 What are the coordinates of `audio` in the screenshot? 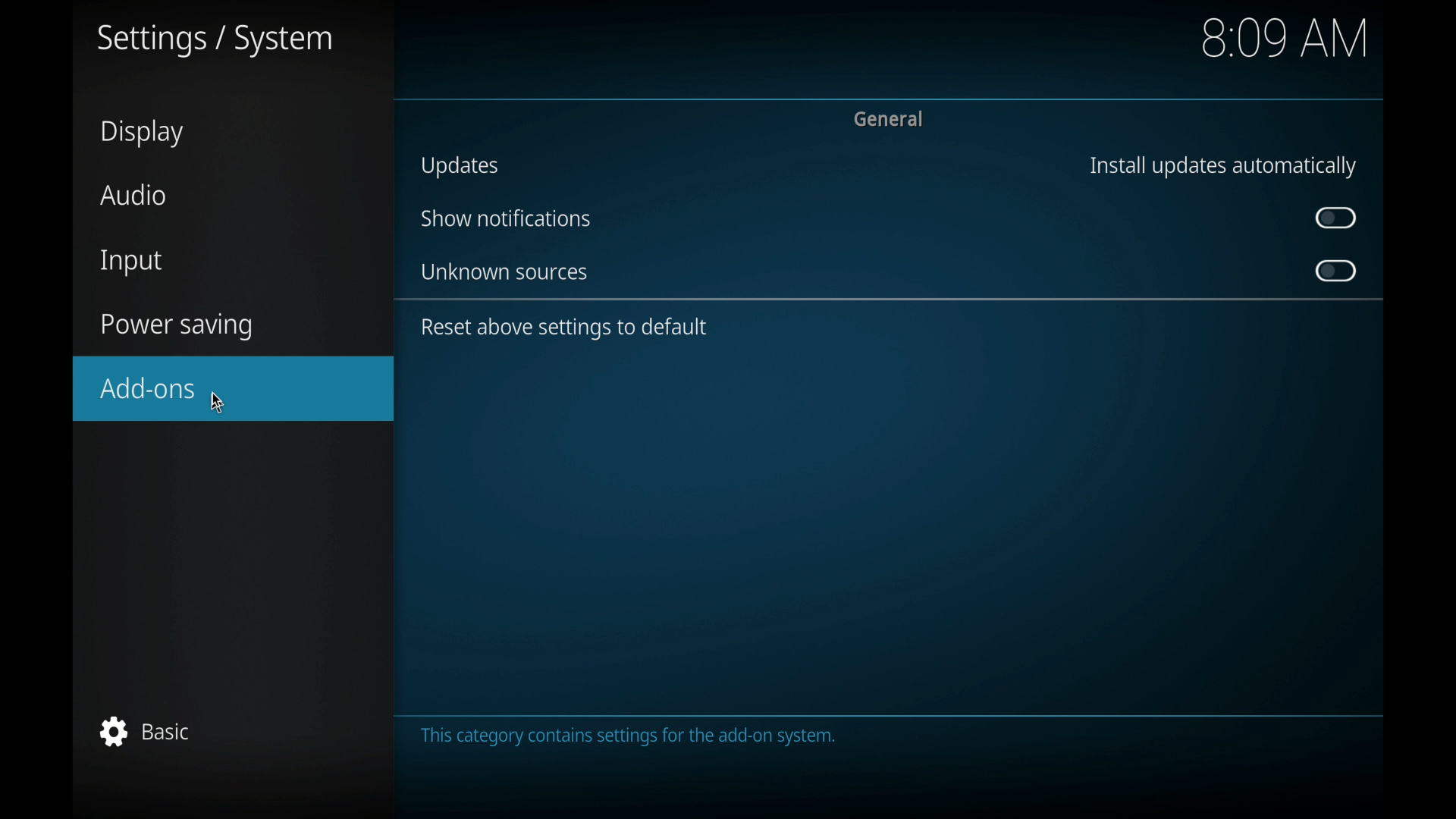 It's located at (135, 194).